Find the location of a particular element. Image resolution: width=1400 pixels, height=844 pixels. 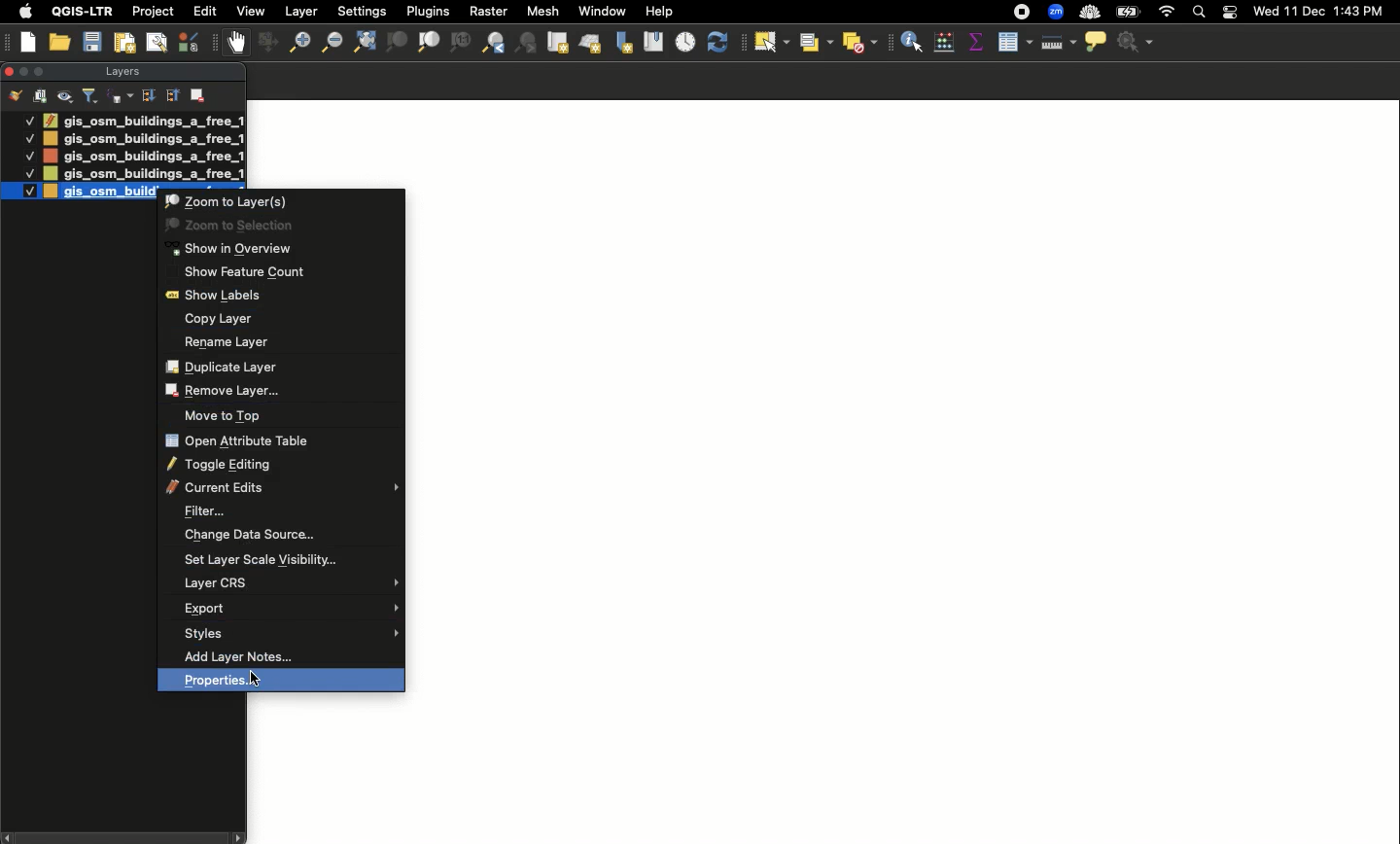

Open is located at coordinates (62, 43).